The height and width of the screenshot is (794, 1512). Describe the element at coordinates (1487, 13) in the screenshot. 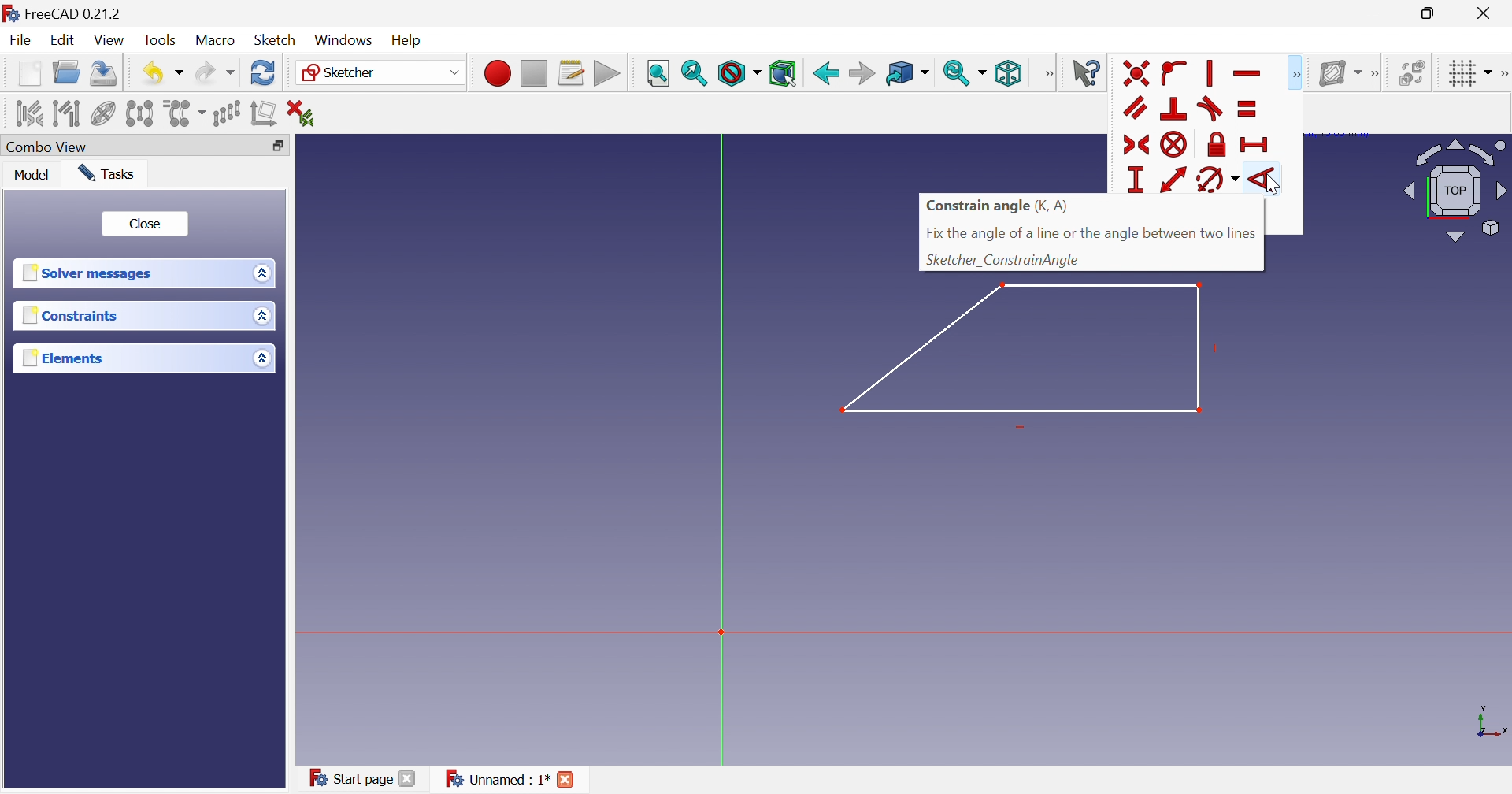

I see `Close` at that location.